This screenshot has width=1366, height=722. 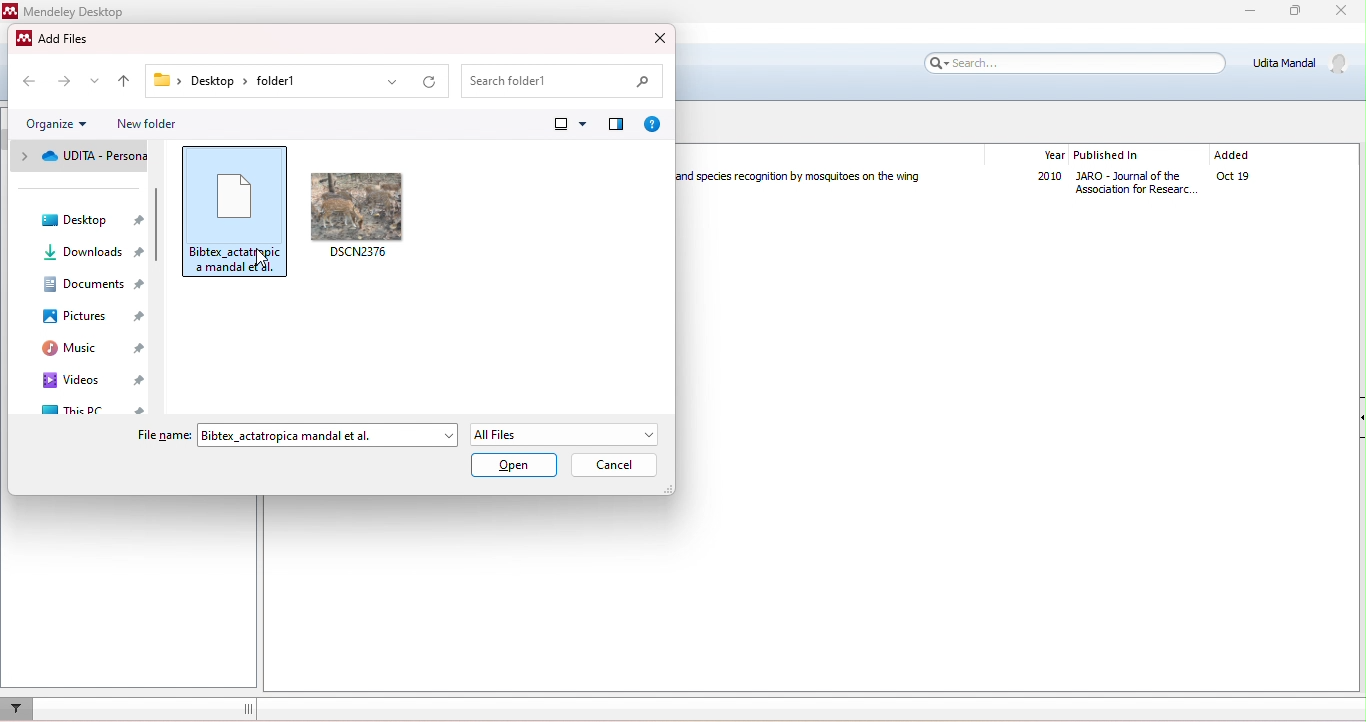 I want to click on pictures, so click(x=95, y=317).